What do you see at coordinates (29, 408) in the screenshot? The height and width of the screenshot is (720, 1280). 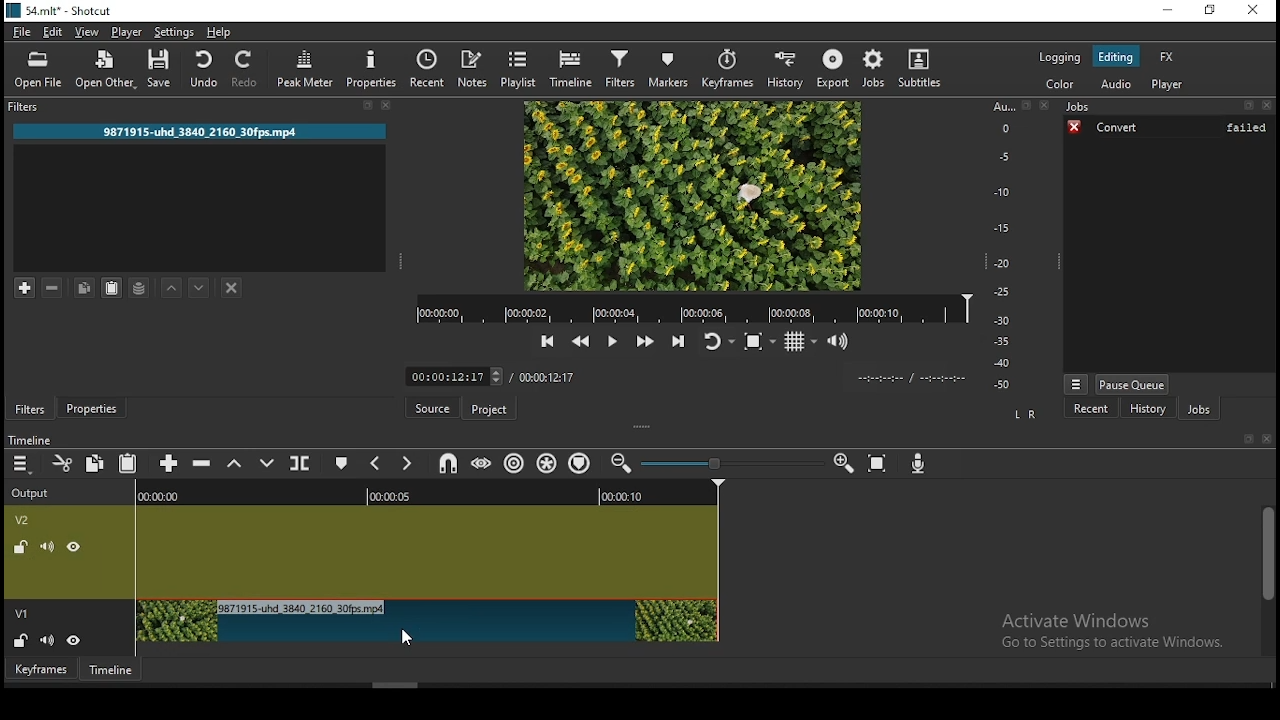 I see `filters` at bounding box center [29, 408].